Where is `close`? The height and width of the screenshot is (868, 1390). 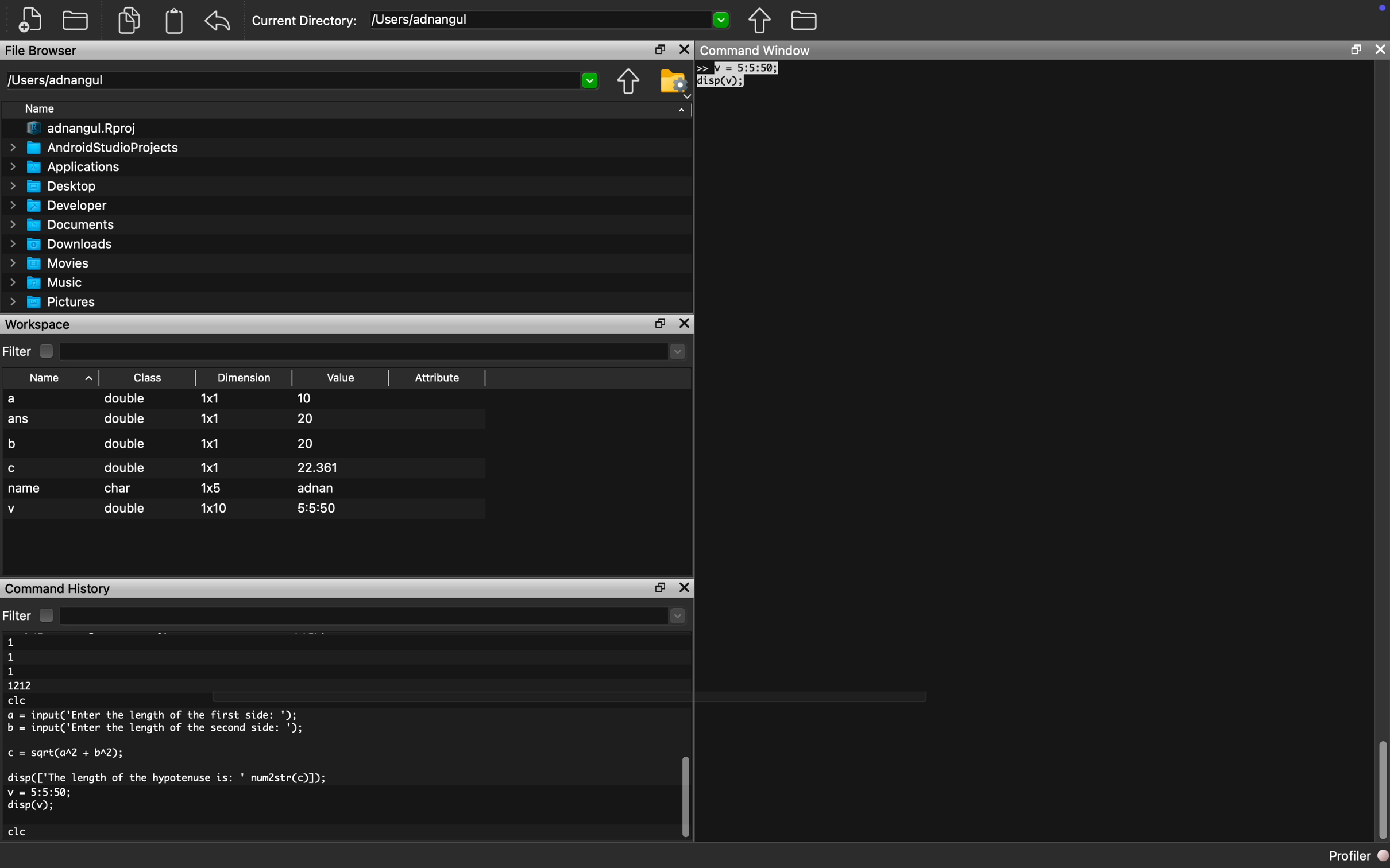 close is located at coordinates (1380, 49).